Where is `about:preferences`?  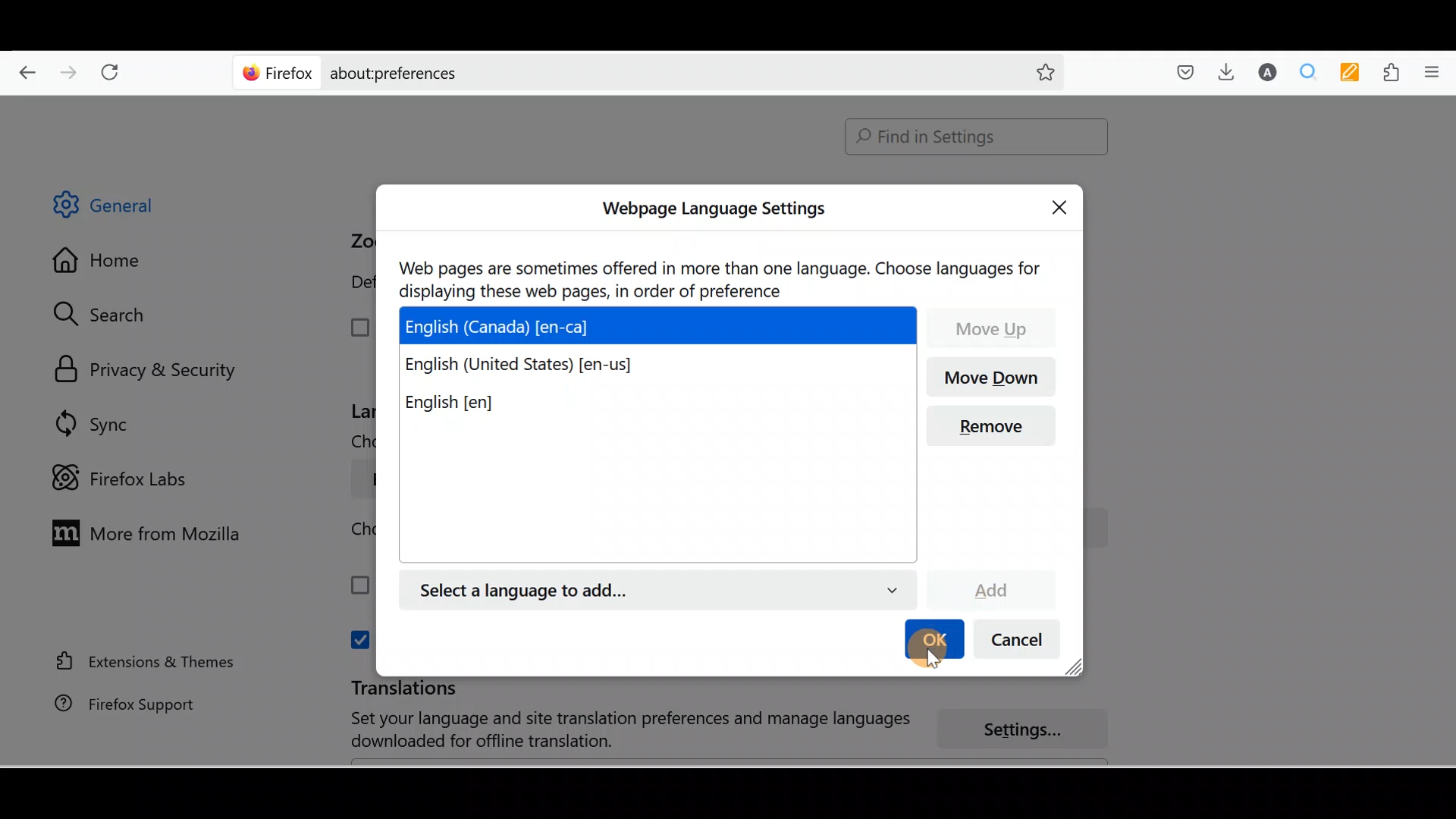
about:preferences is located at coordinates (605, 71).